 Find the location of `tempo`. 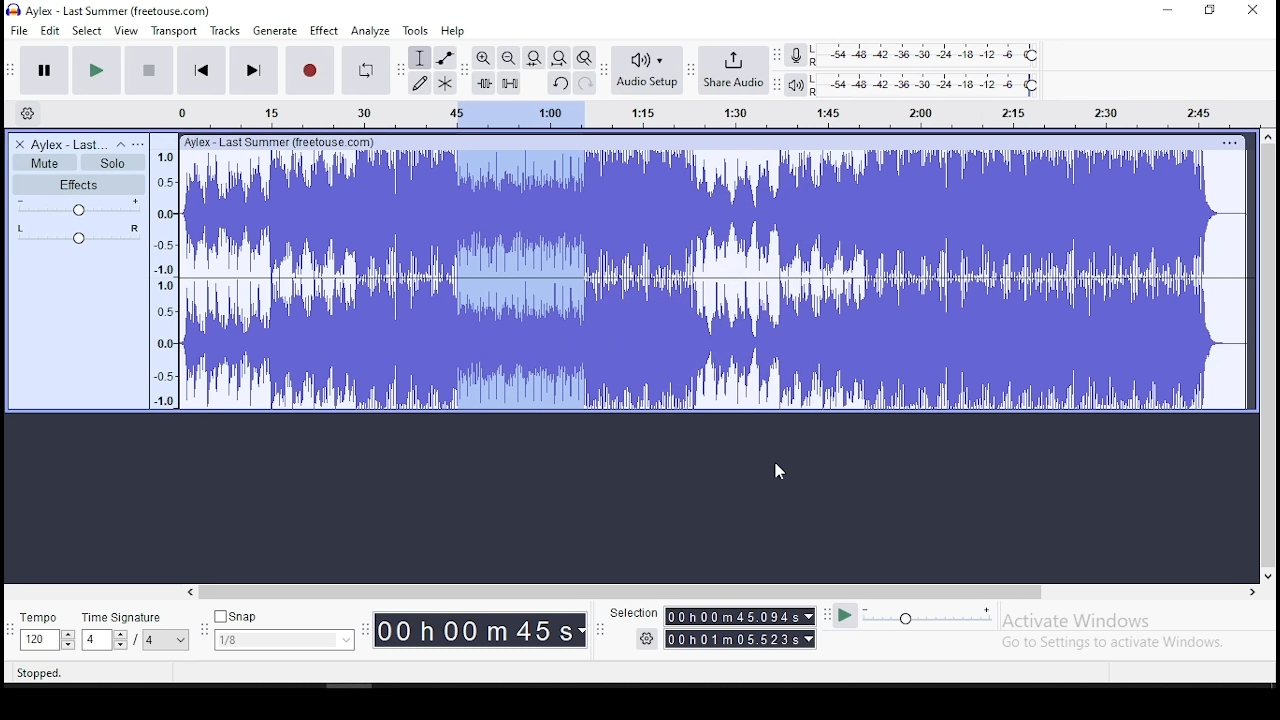

tempo is located at coordinates (45, 633).